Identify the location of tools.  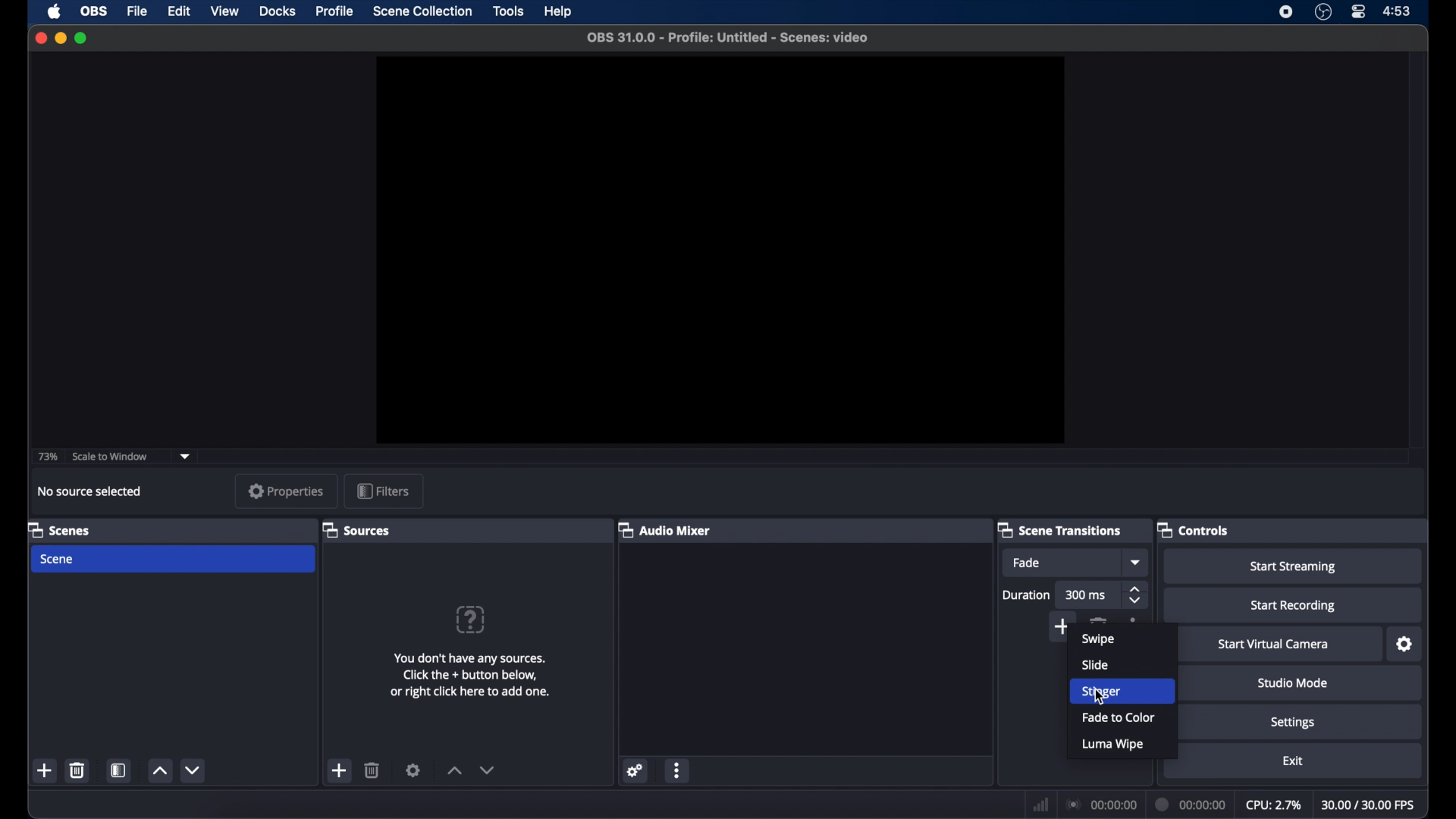
(509, 12).